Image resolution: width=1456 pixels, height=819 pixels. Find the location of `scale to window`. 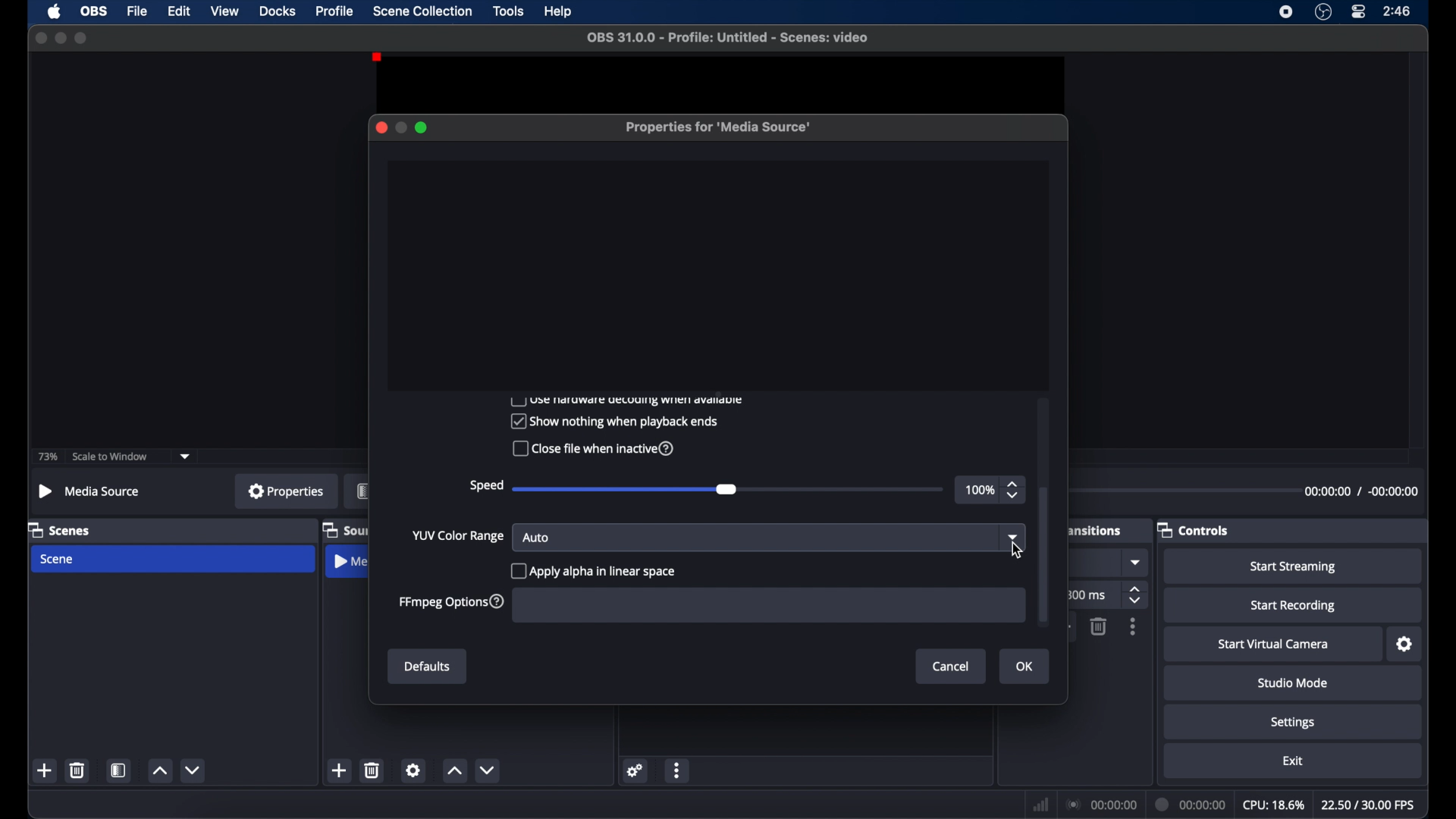

scale to window is located at coordinates (112, 457).